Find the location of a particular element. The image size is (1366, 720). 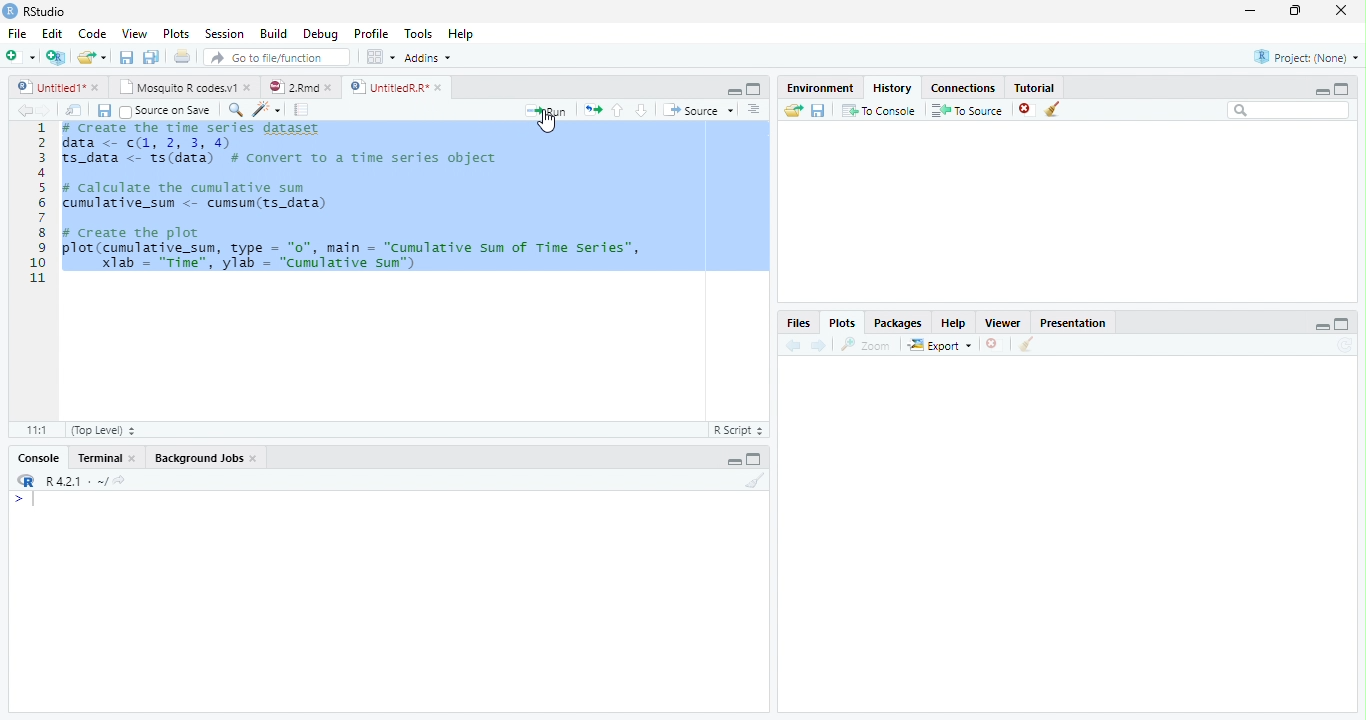

Save all is located at coordinates (150, 58).